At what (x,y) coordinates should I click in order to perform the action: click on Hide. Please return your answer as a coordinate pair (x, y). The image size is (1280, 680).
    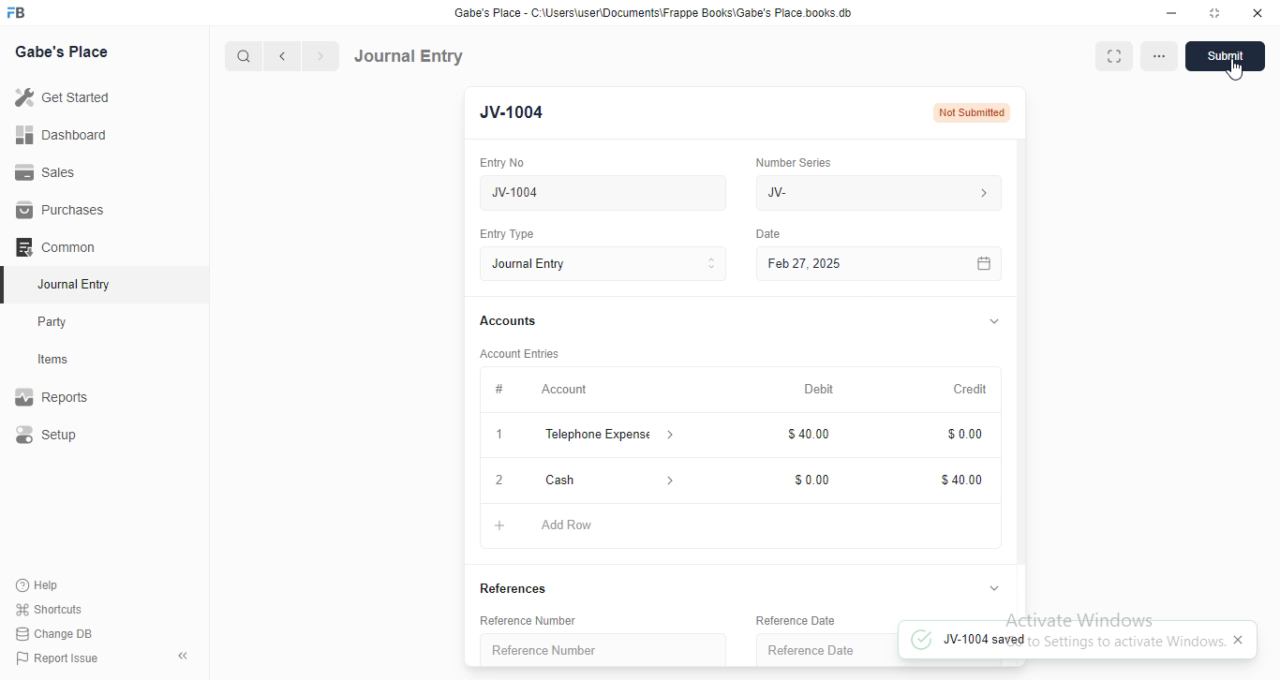
    Looking at the image, I should click on (995, 320).